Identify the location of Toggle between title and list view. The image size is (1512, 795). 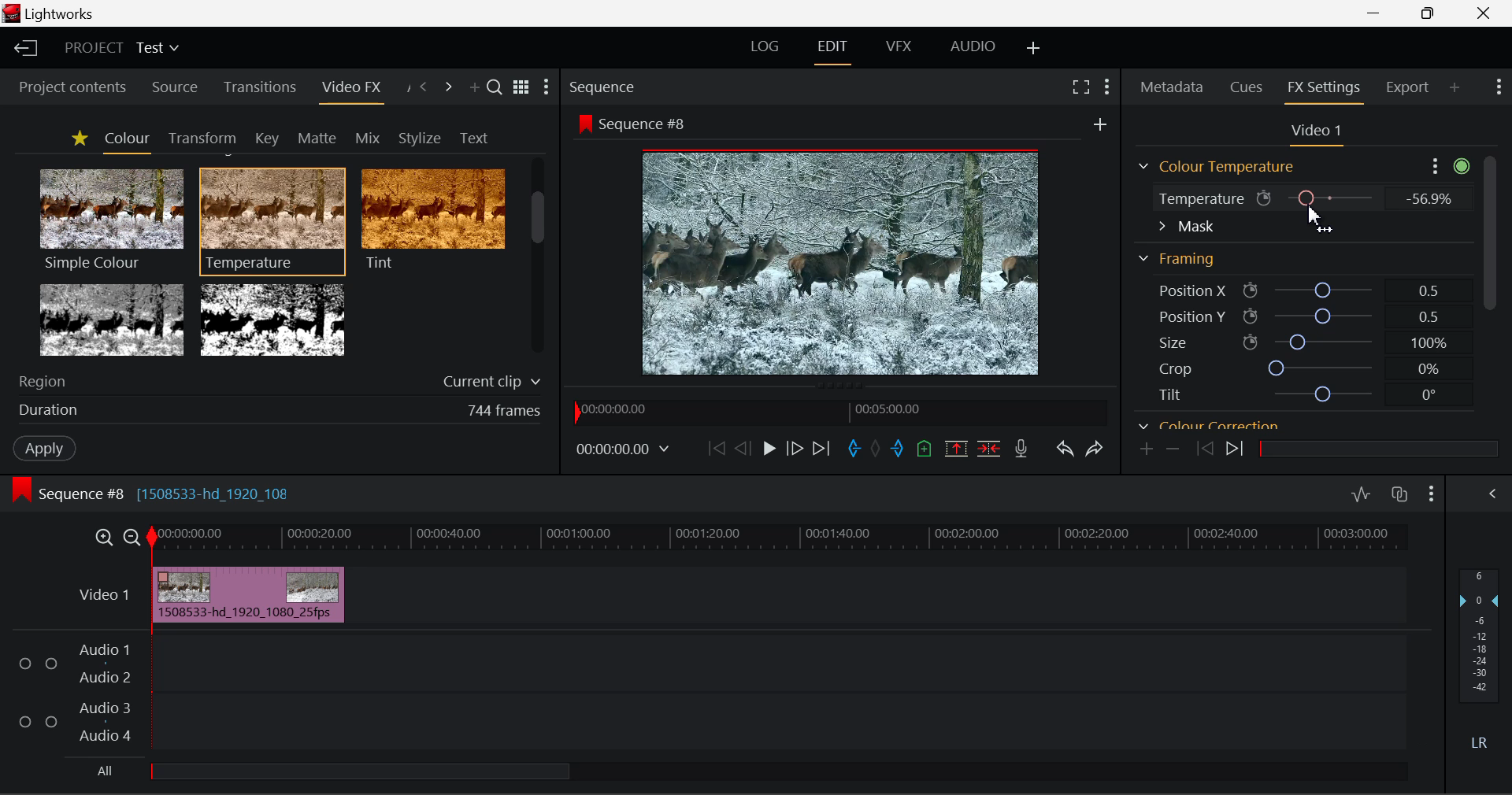
(523, 88).